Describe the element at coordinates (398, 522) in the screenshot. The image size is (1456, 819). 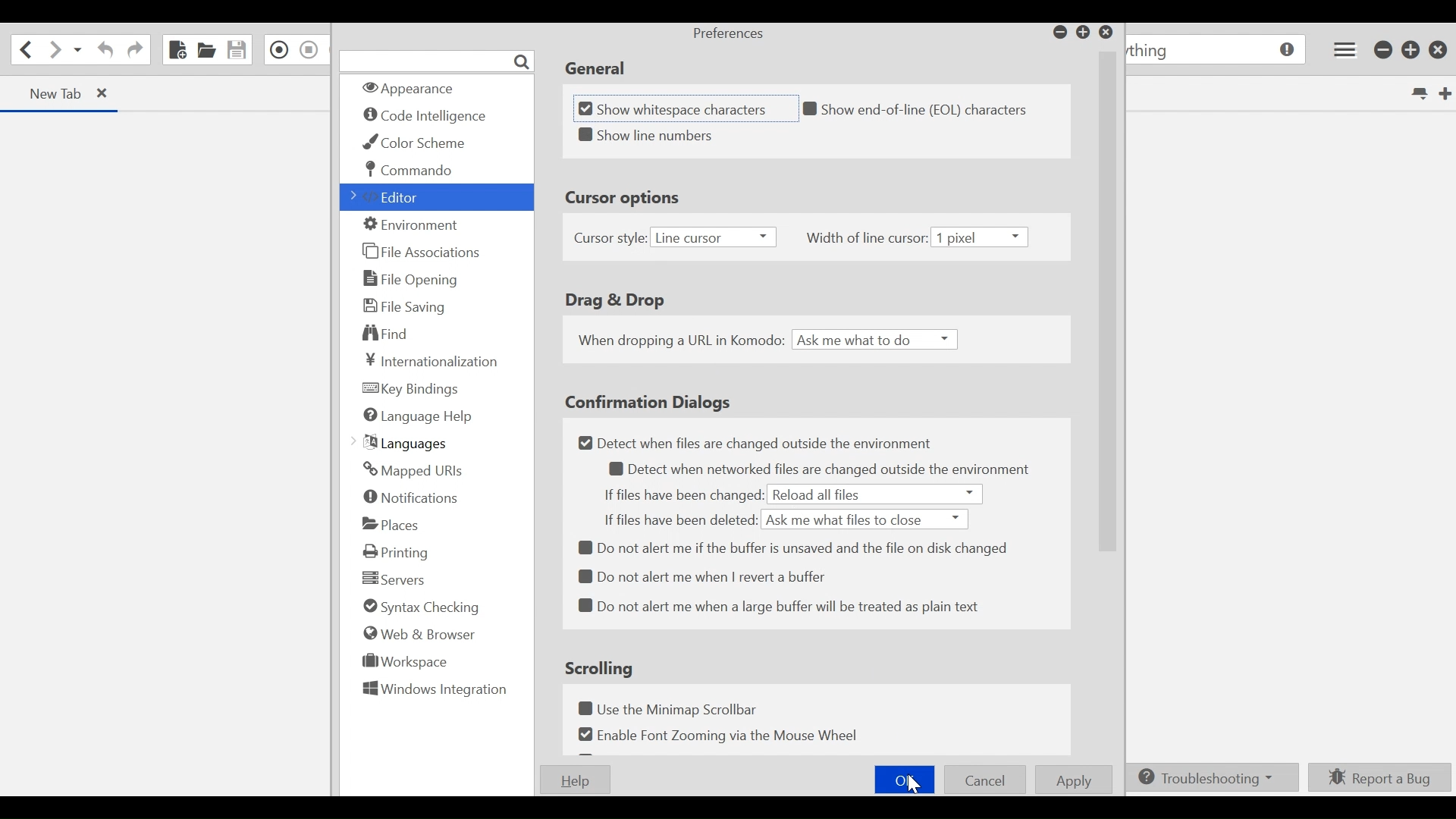
I see `Places` at that location.